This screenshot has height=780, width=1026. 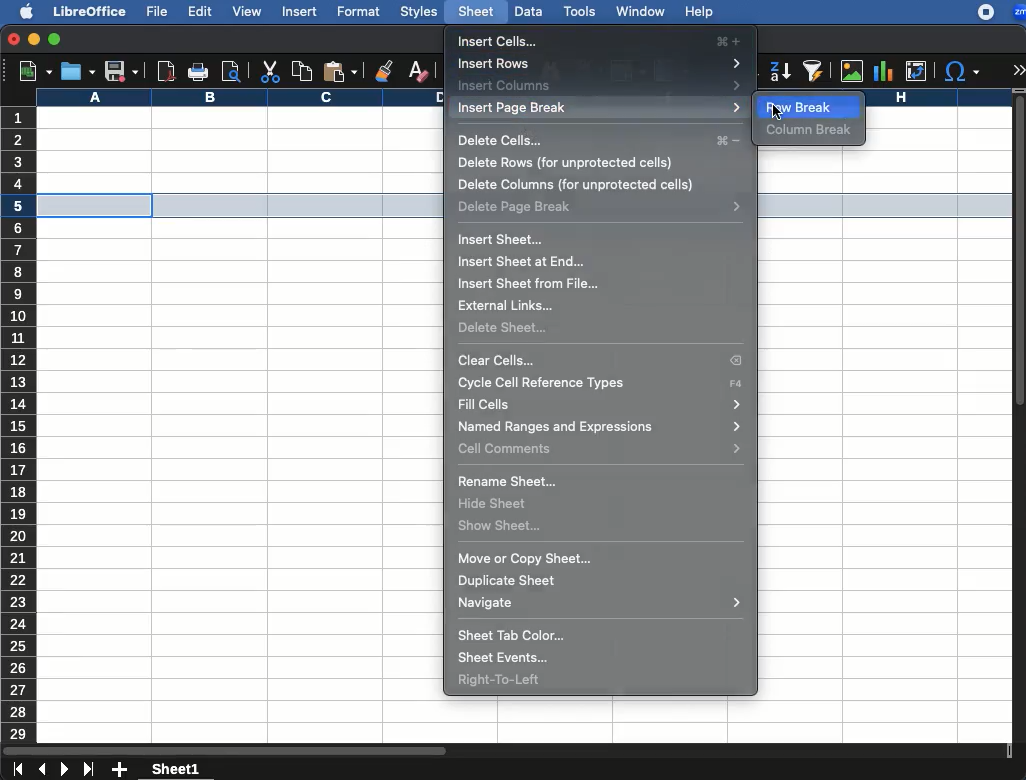 What do you see at coordinates (340, 72) in the screenshot?
I see `paste` at bounding box center [340, 72].